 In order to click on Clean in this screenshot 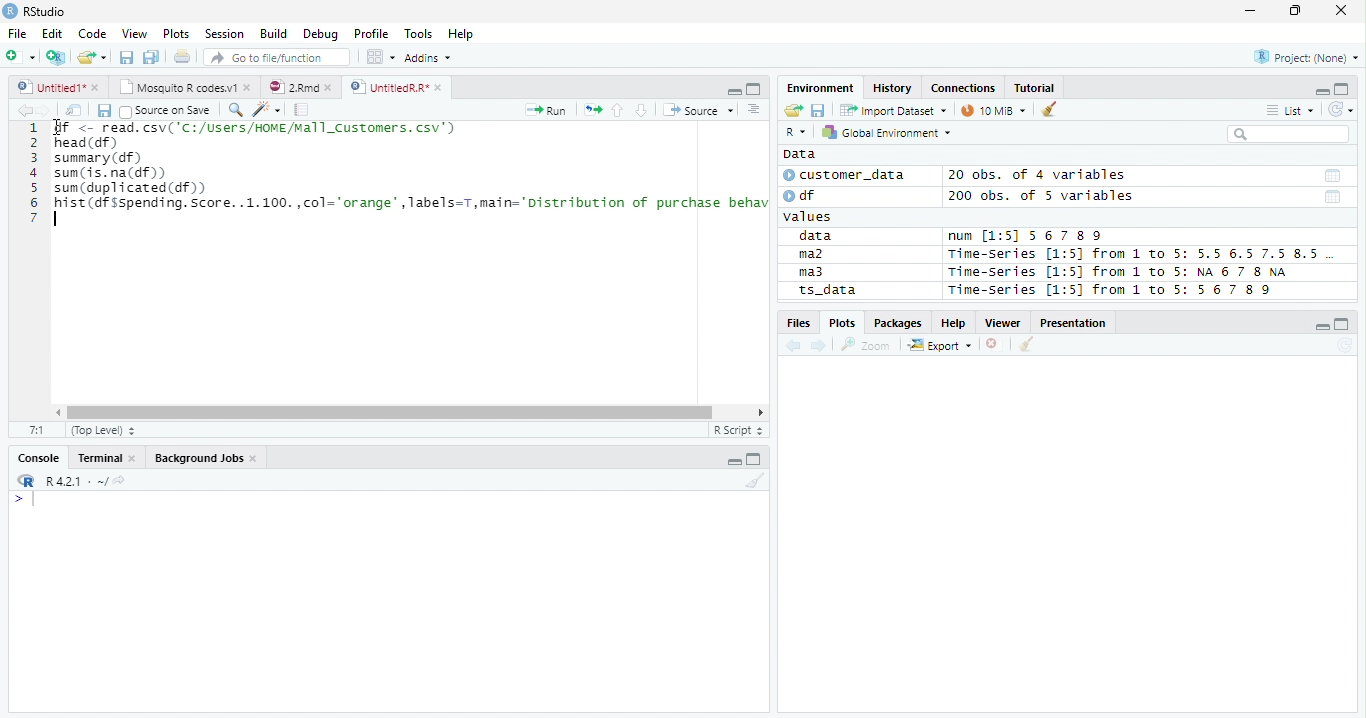, I will do `click(1027, 344)`.